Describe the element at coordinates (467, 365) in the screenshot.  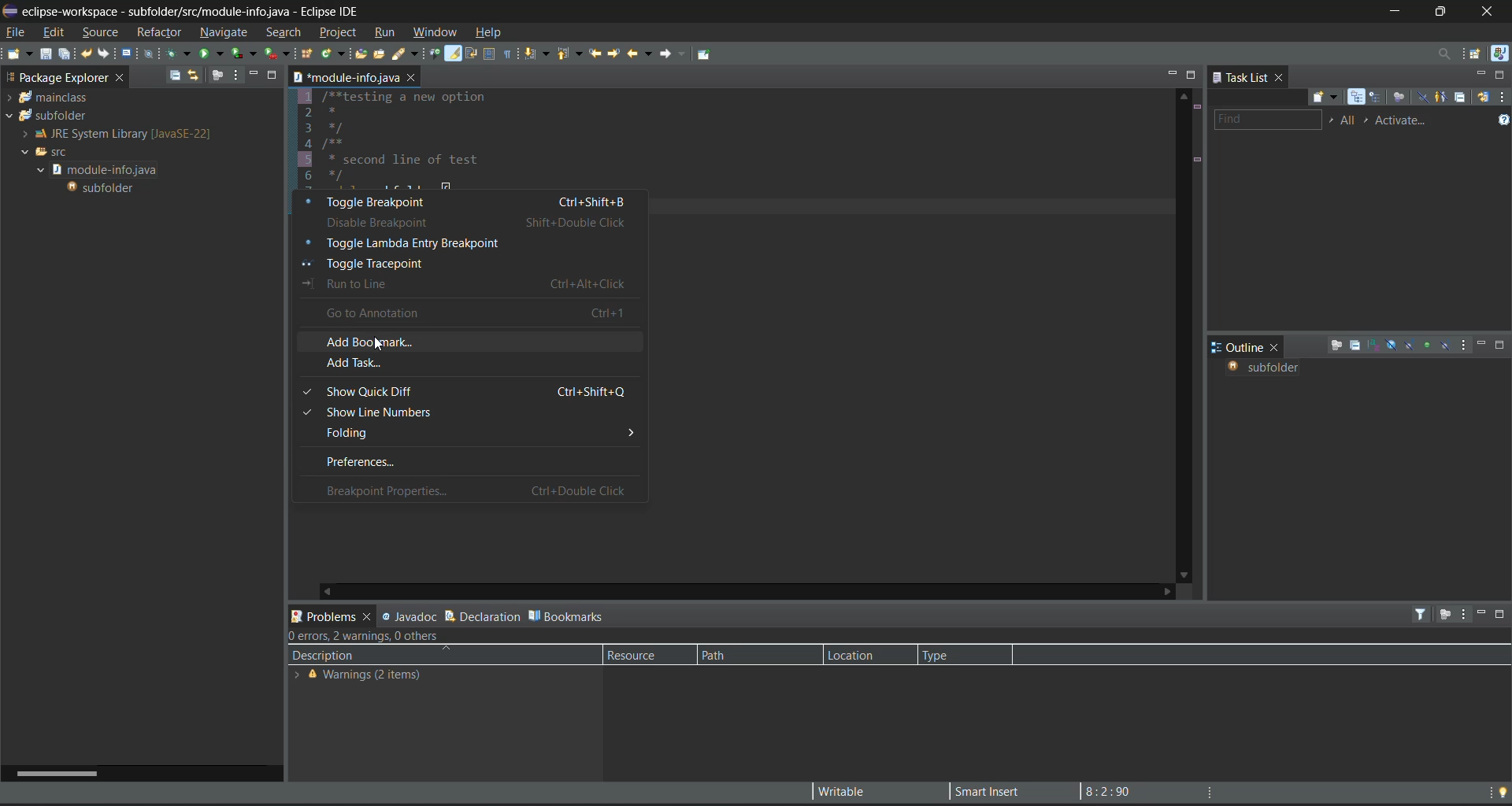
I see `add task` at that location.